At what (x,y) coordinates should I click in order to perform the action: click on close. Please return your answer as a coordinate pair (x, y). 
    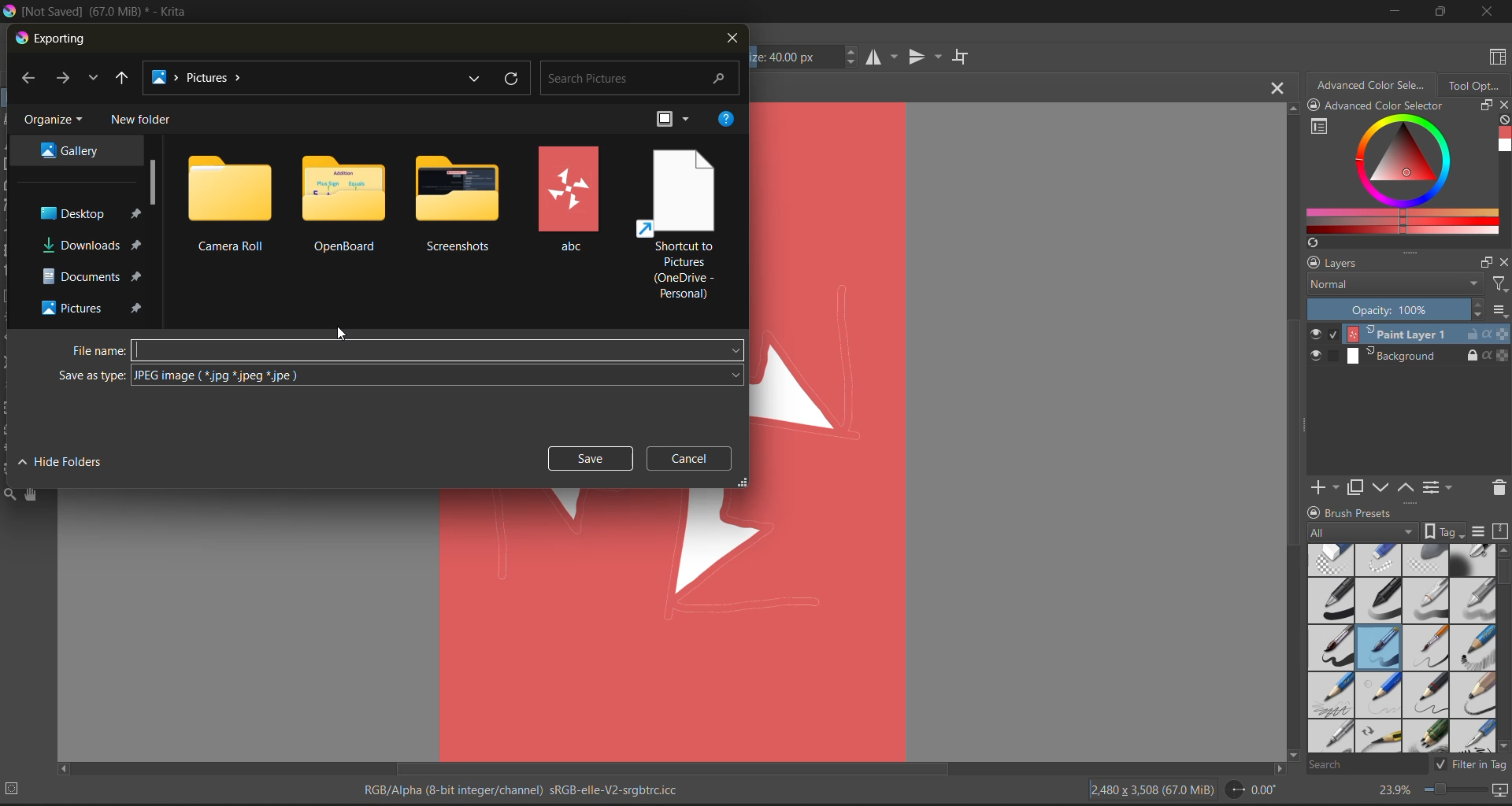
    Looking at the image, I should click on (1503, 105).